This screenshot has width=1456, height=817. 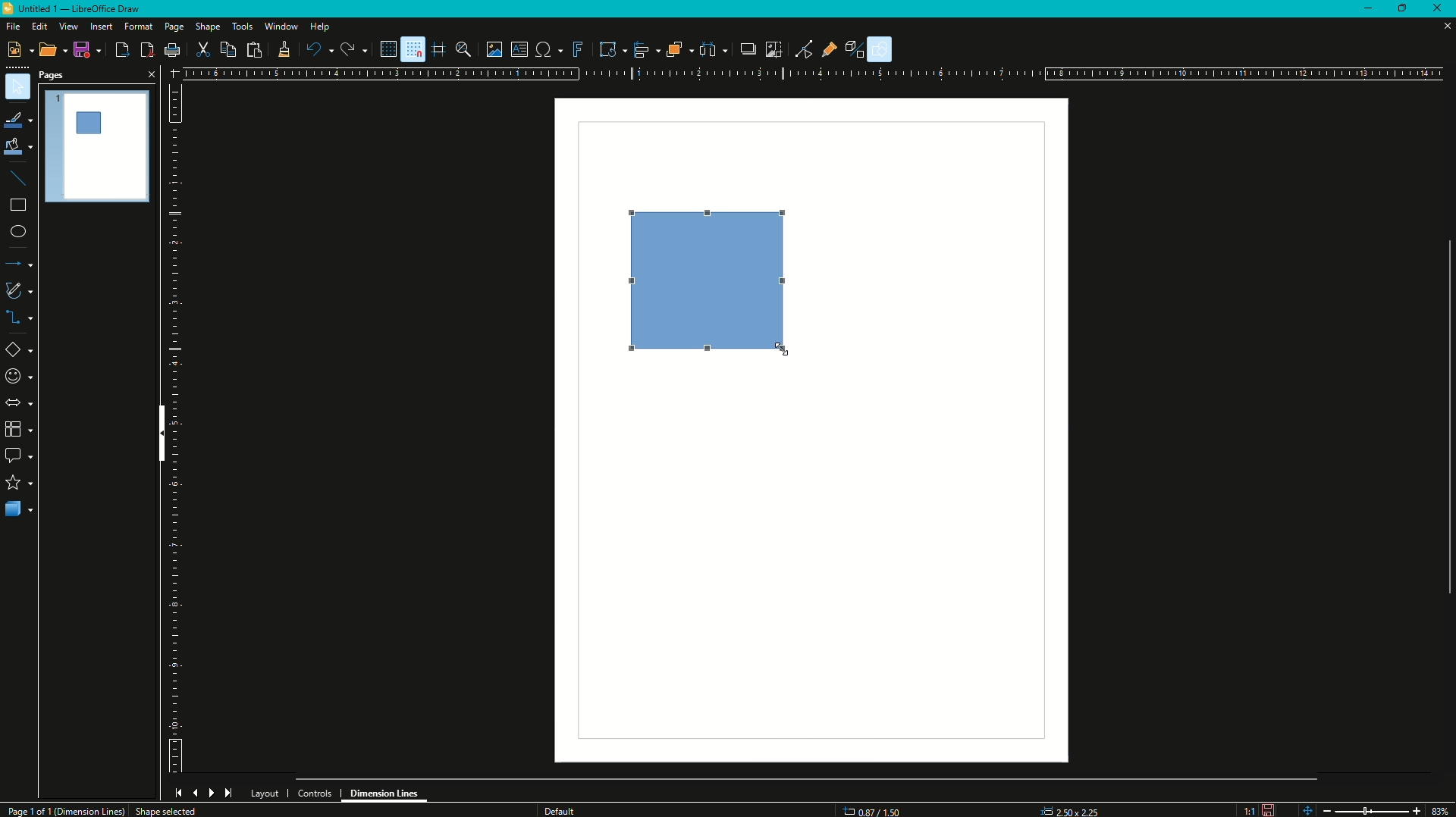 What do you see at coordinates (1268, 809) in the screenshot?
I see `Not saved` at bounding box center [1268, 809].